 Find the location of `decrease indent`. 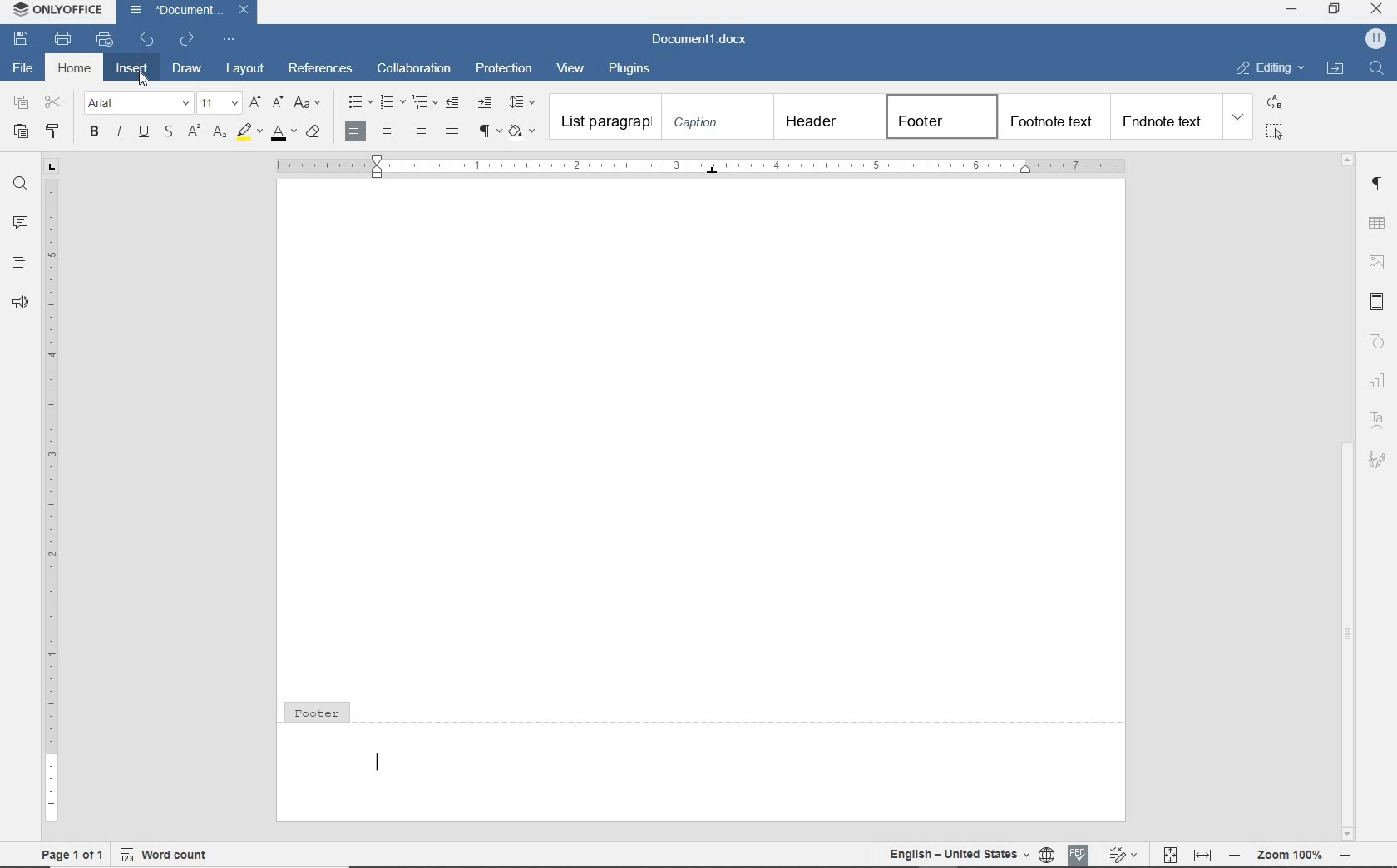

decrease indent is located at coordinates (453, 103).